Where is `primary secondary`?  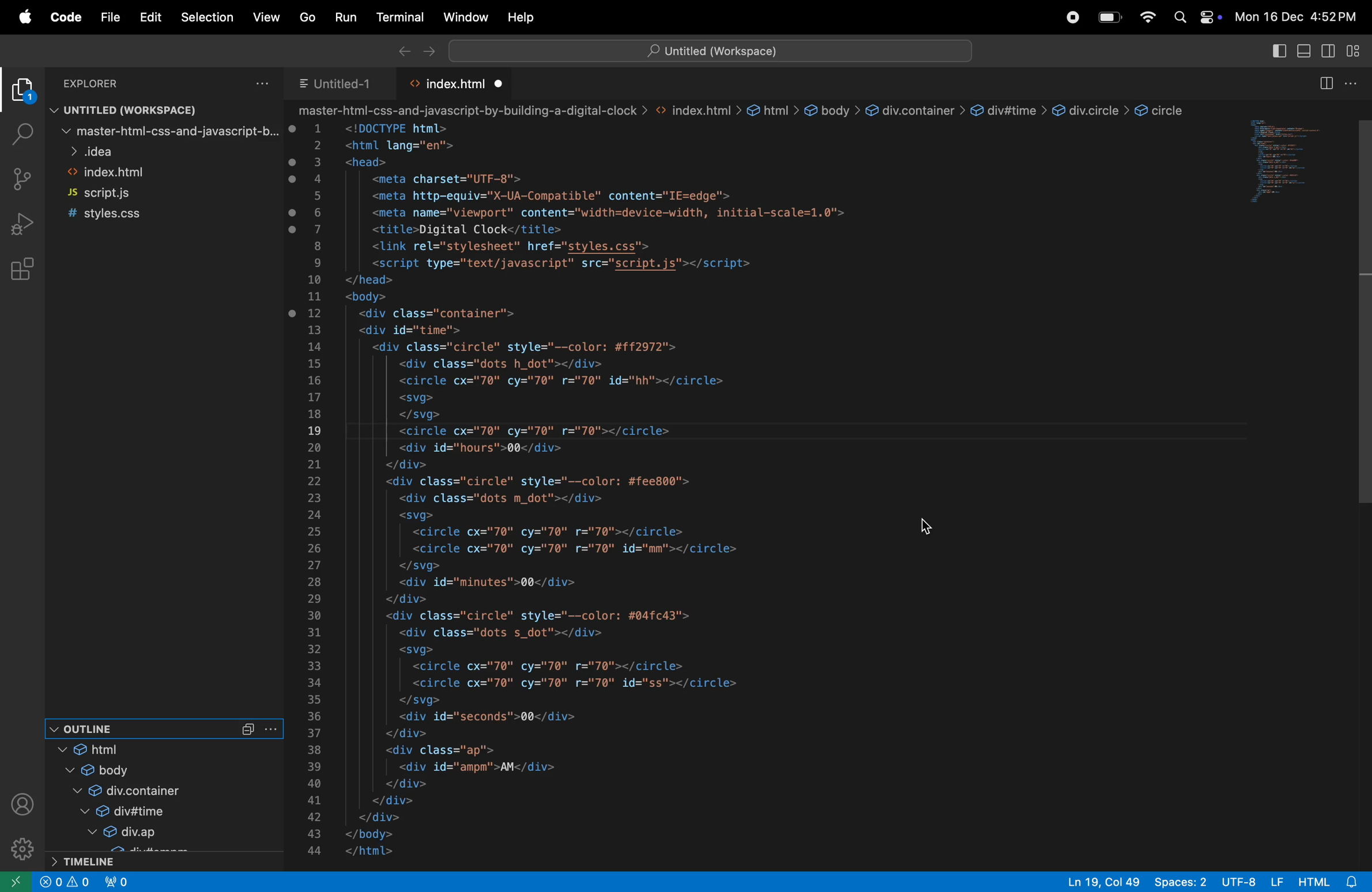 primary secondary is located at coordinates (1333, 51).